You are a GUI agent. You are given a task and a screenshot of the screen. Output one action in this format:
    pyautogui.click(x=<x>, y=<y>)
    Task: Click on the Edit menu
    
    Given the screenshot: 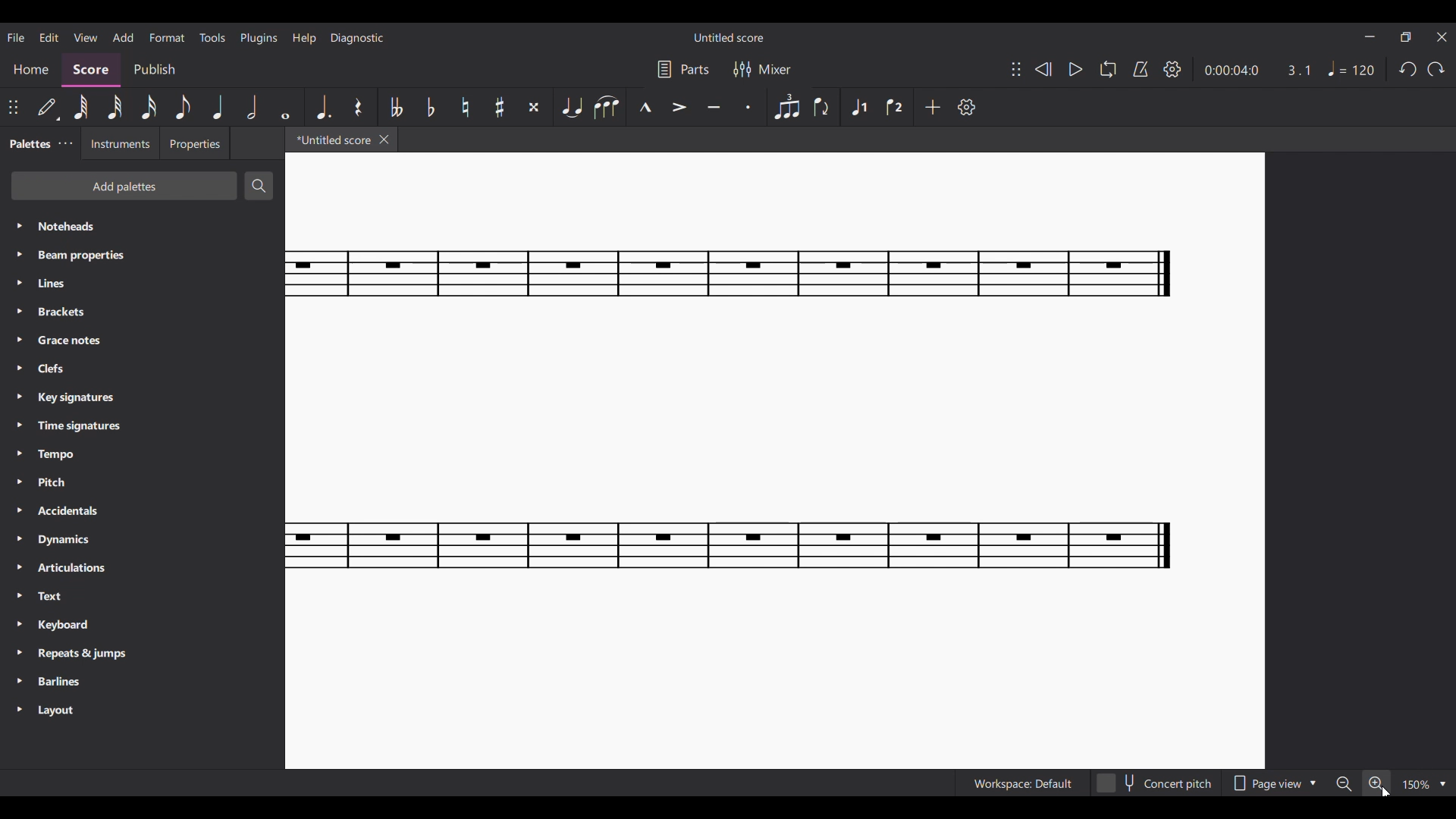 What is the action you would take?
    pyautogui.click(x=49, y=38)
    